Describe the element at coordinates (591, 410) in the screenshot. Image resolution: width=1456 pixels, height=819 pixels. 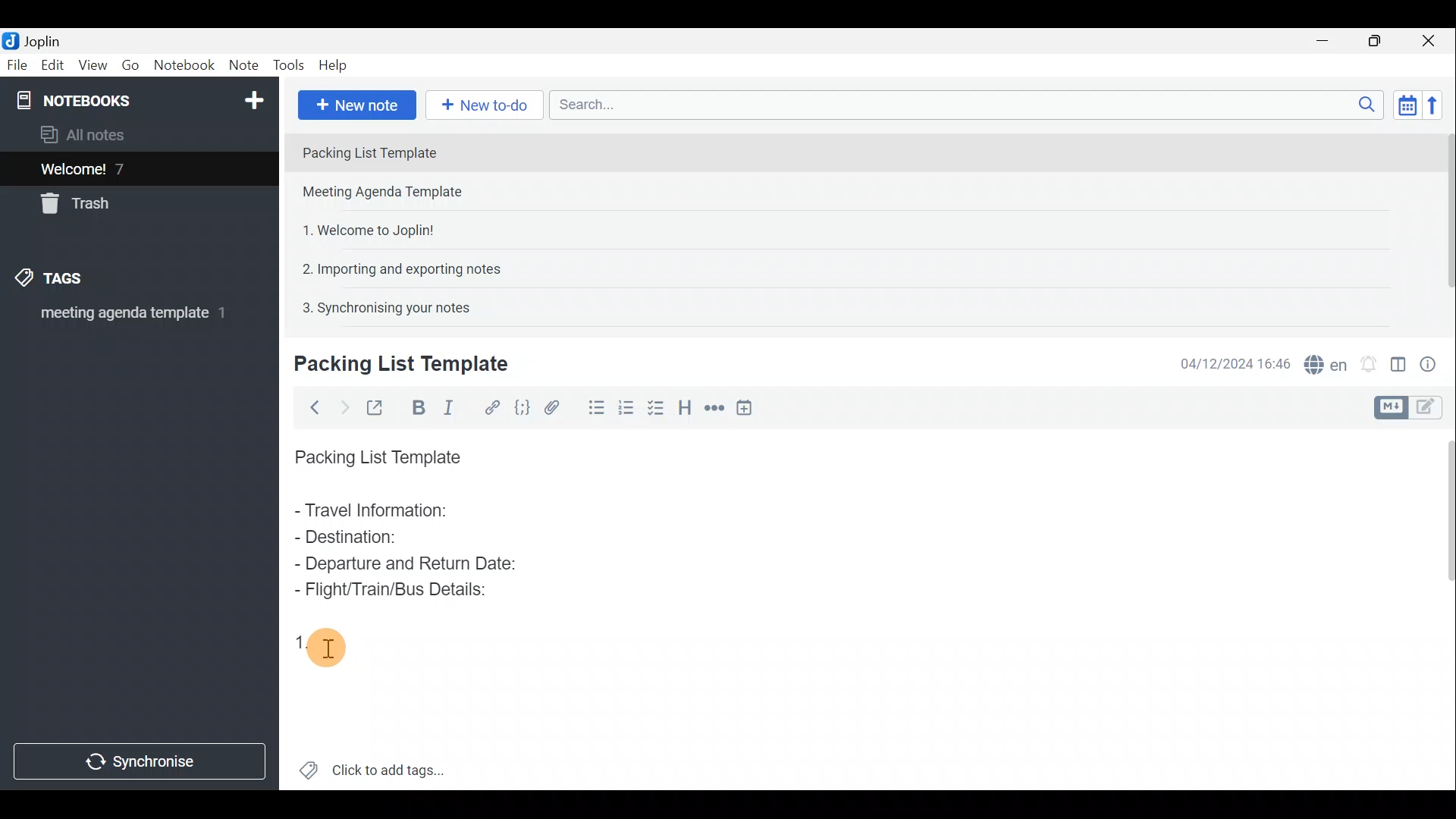
I see `Bulleted list` at that location.